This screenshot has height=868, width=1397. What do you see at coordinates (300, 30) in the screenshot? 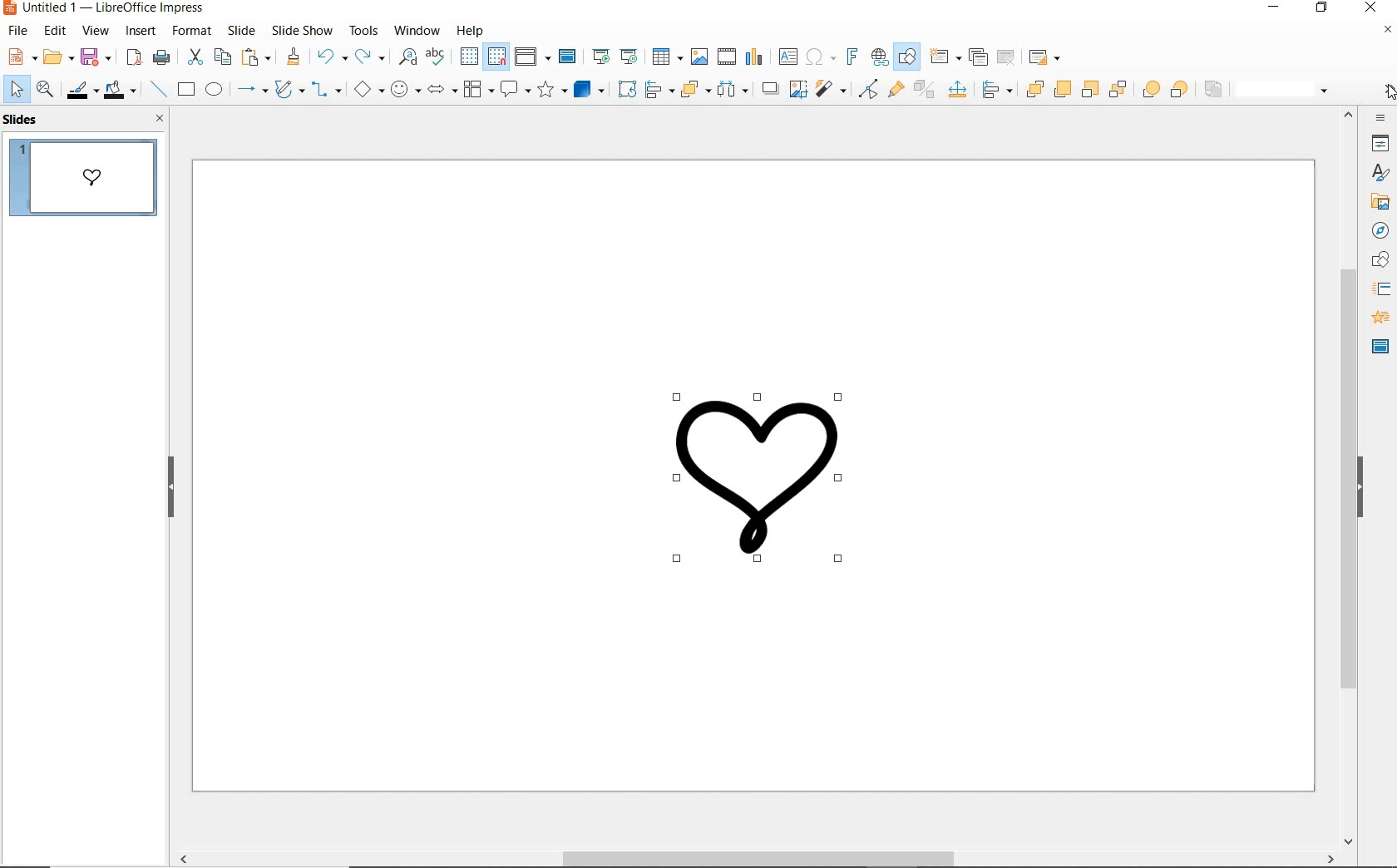
I see `slide show` at bounding box center [300, 30].